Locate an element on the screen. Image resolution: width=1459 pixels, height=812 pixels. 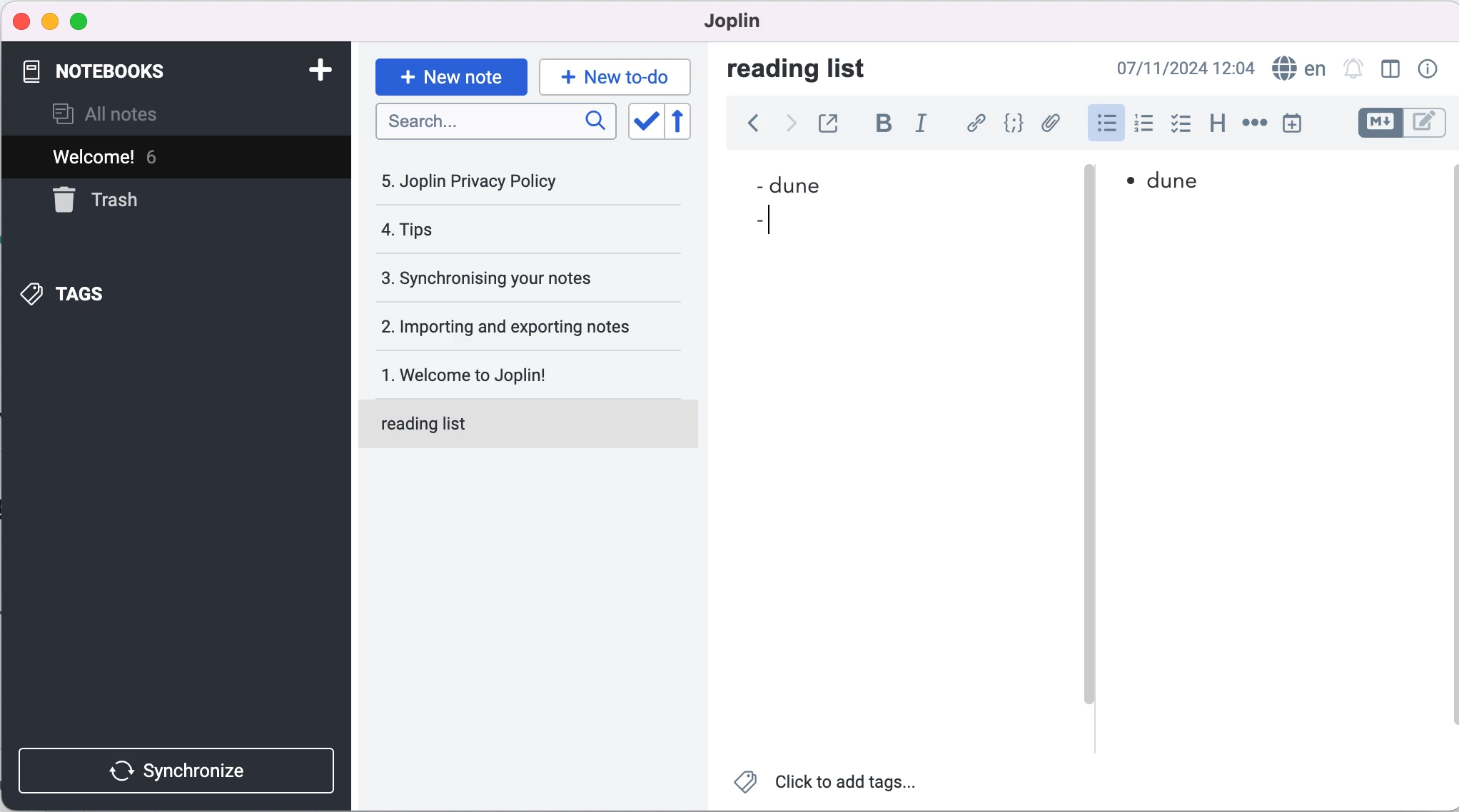
vertical slider is located at coordinates (1089, 450).